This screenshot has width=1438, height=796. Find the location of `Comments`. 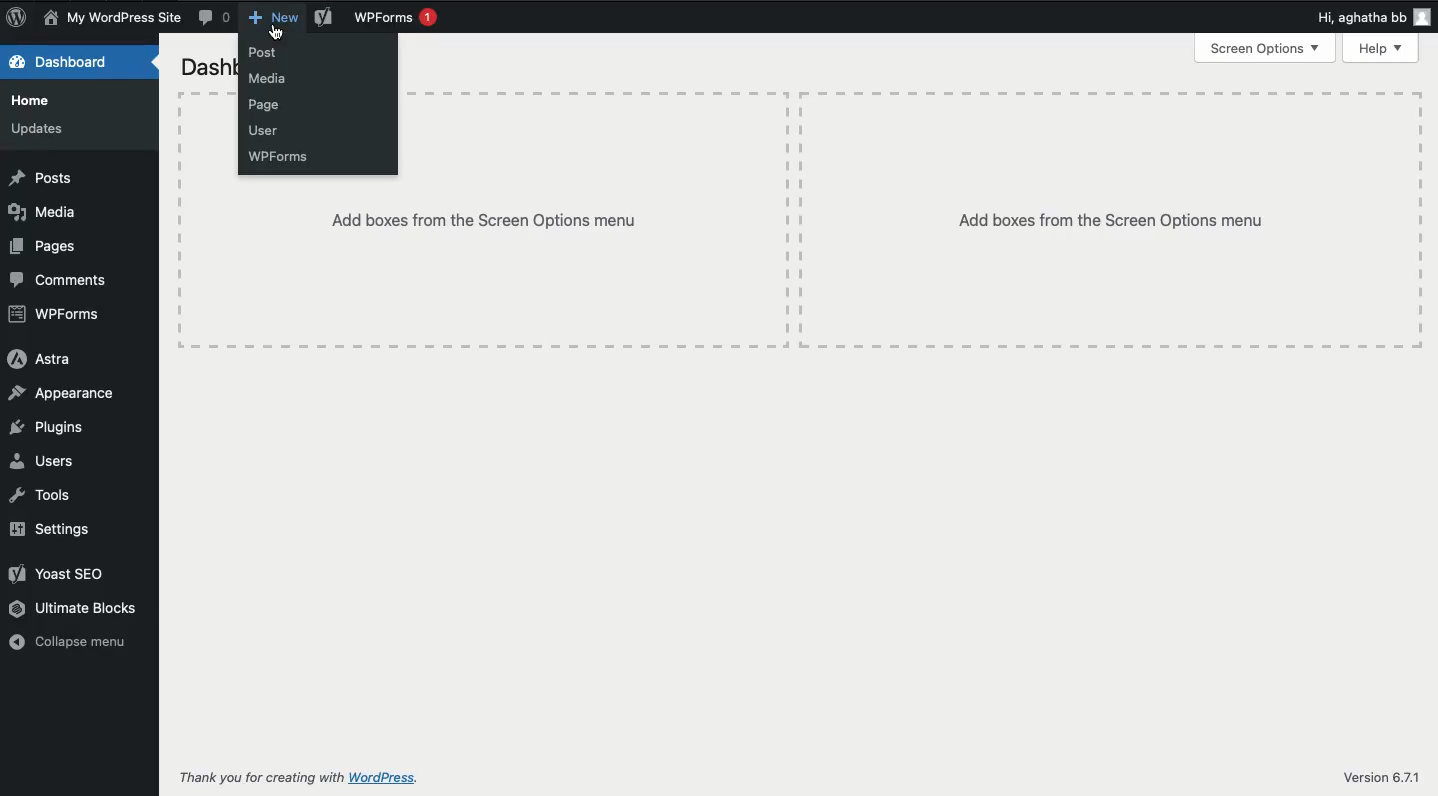

Comments is located at coordinates (59, 280).